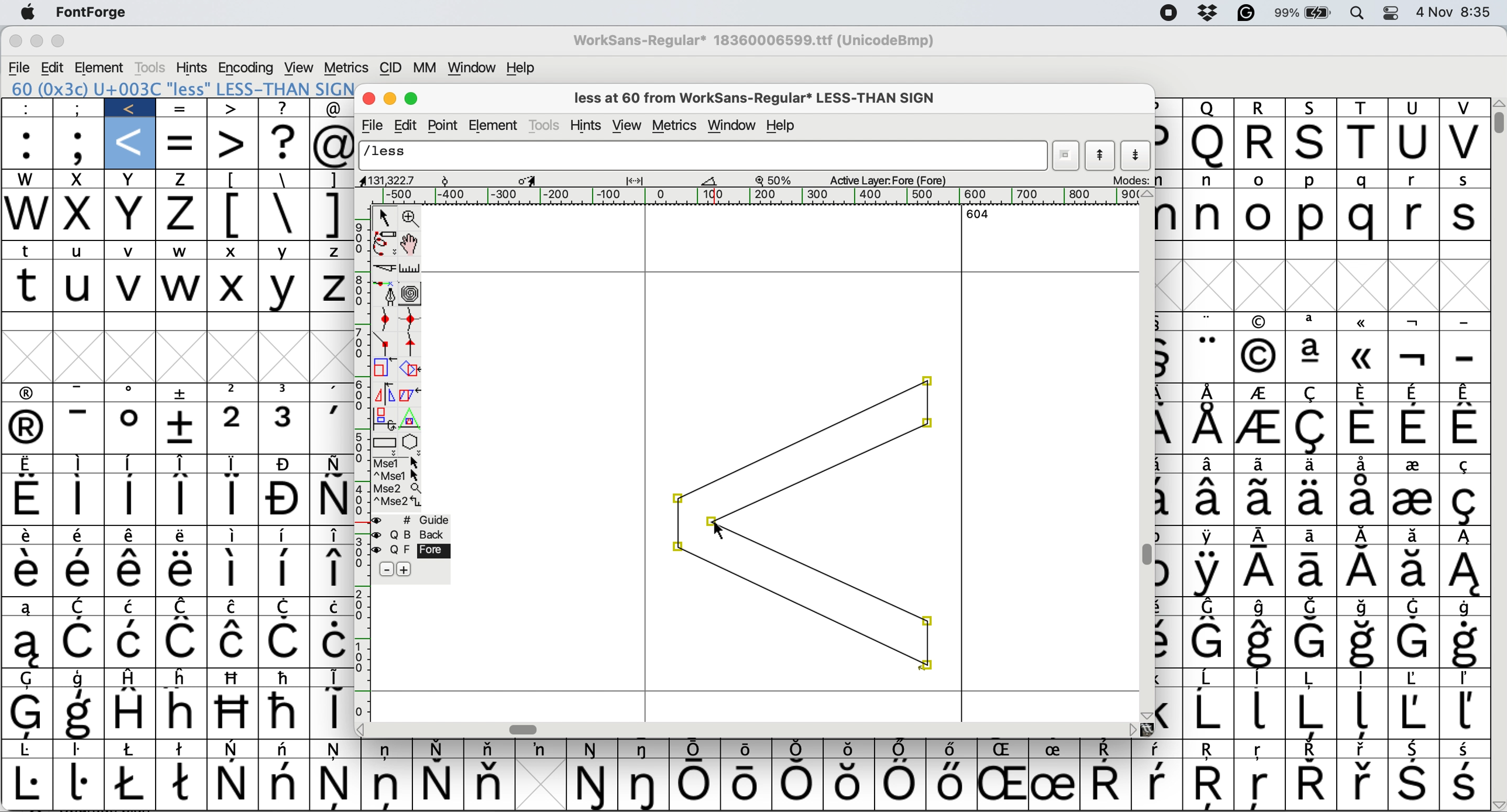  Describe the element at coordinates (414, 369) in the screenshot. I see `rotate the selection` at that location.